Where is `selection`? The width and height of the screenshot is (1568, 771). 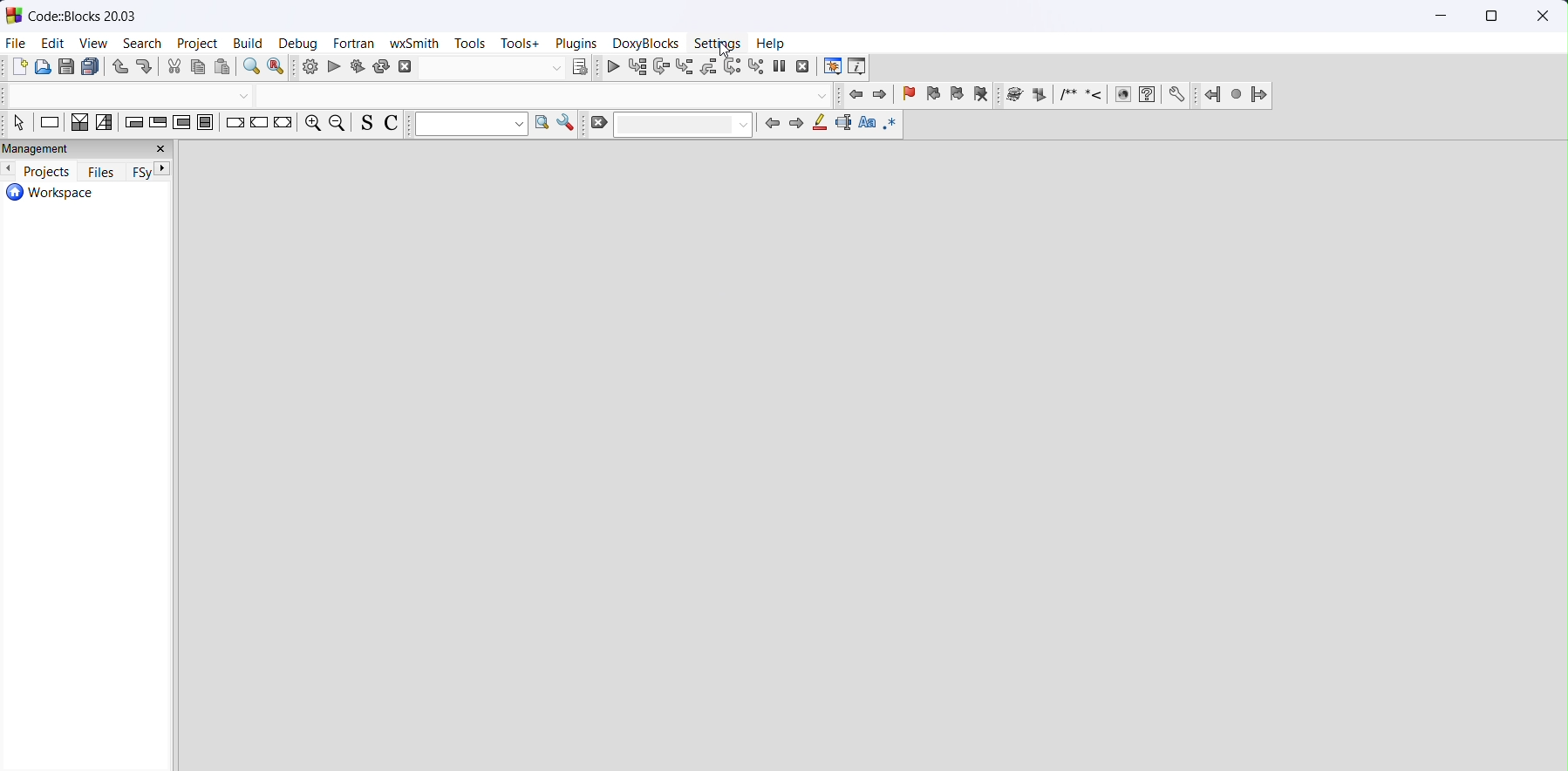 selection is located at coordinates (107, 124).